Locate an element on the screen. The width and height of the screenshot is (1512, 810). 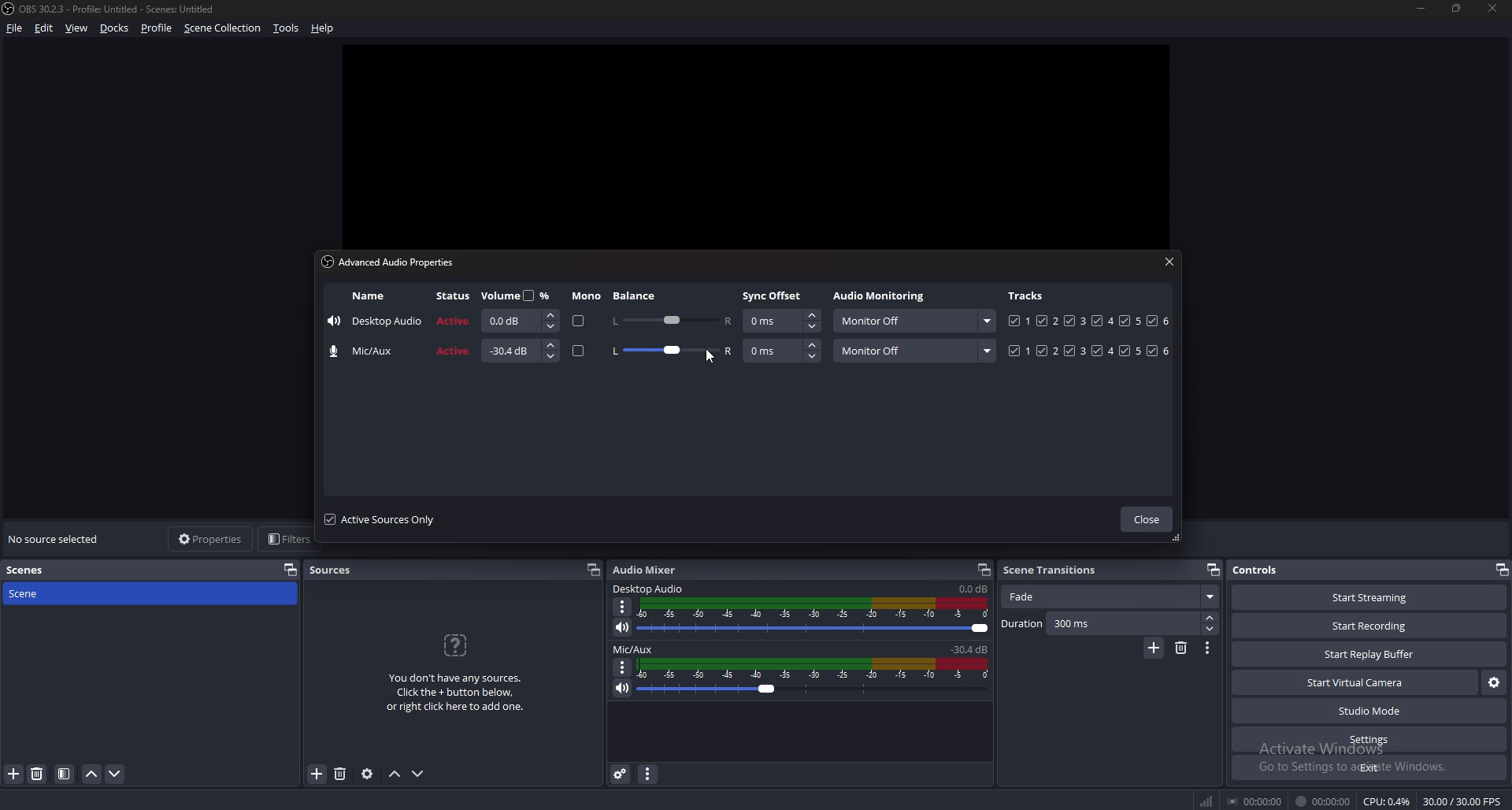
stuatus is located at coordinates (452, 351).